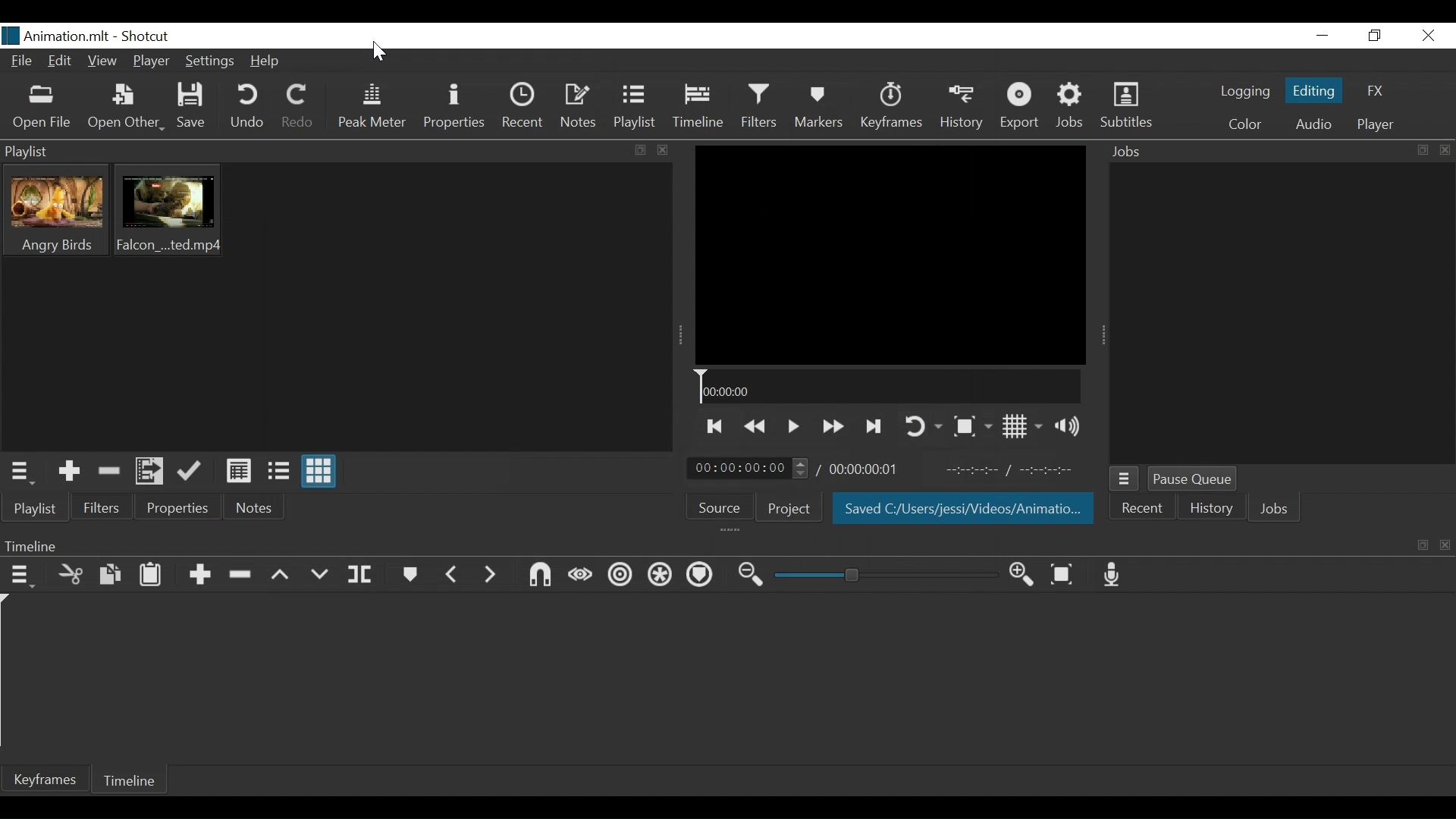 This screenshot has height=819, width=1456. What do you see at coordinates (365, 575) in the screenshot?
I see `Split at playhead` at bounding box center [365, 575].